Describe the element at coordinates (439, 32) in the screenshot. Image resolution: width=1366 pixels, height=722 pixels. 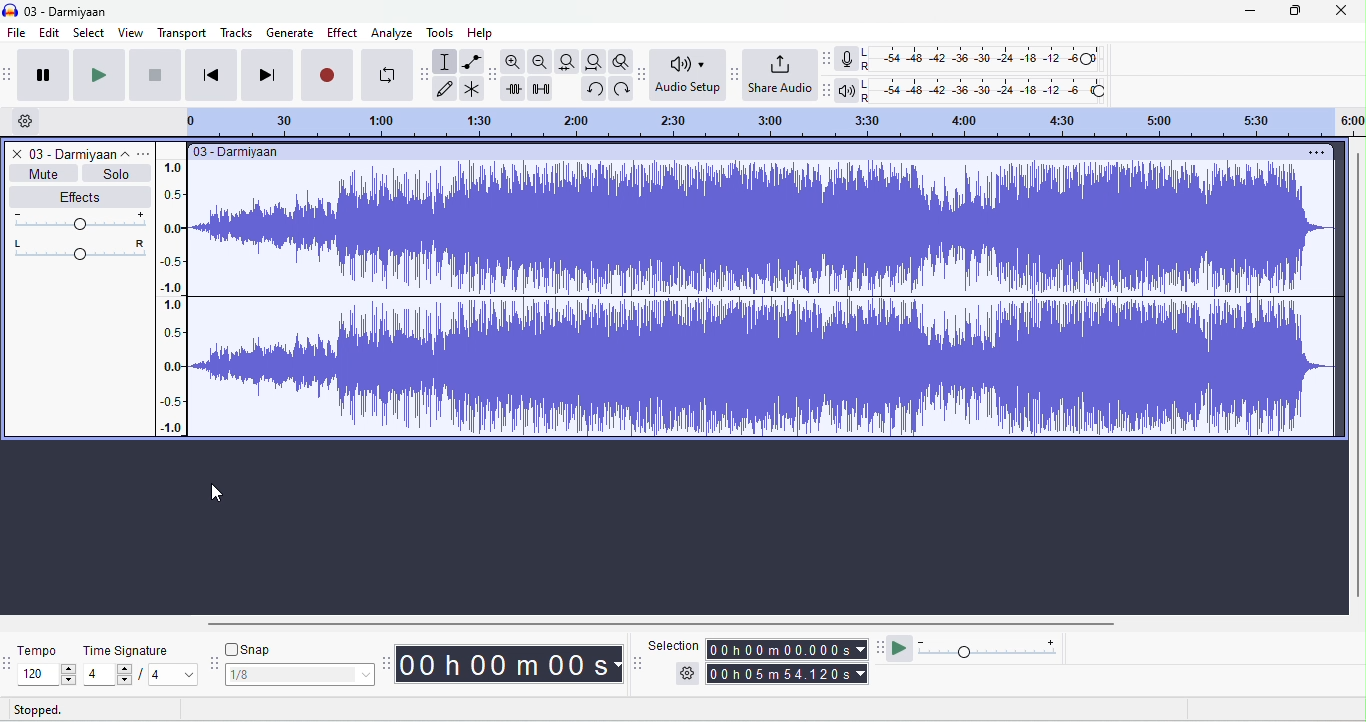
I see `tools` at that location.